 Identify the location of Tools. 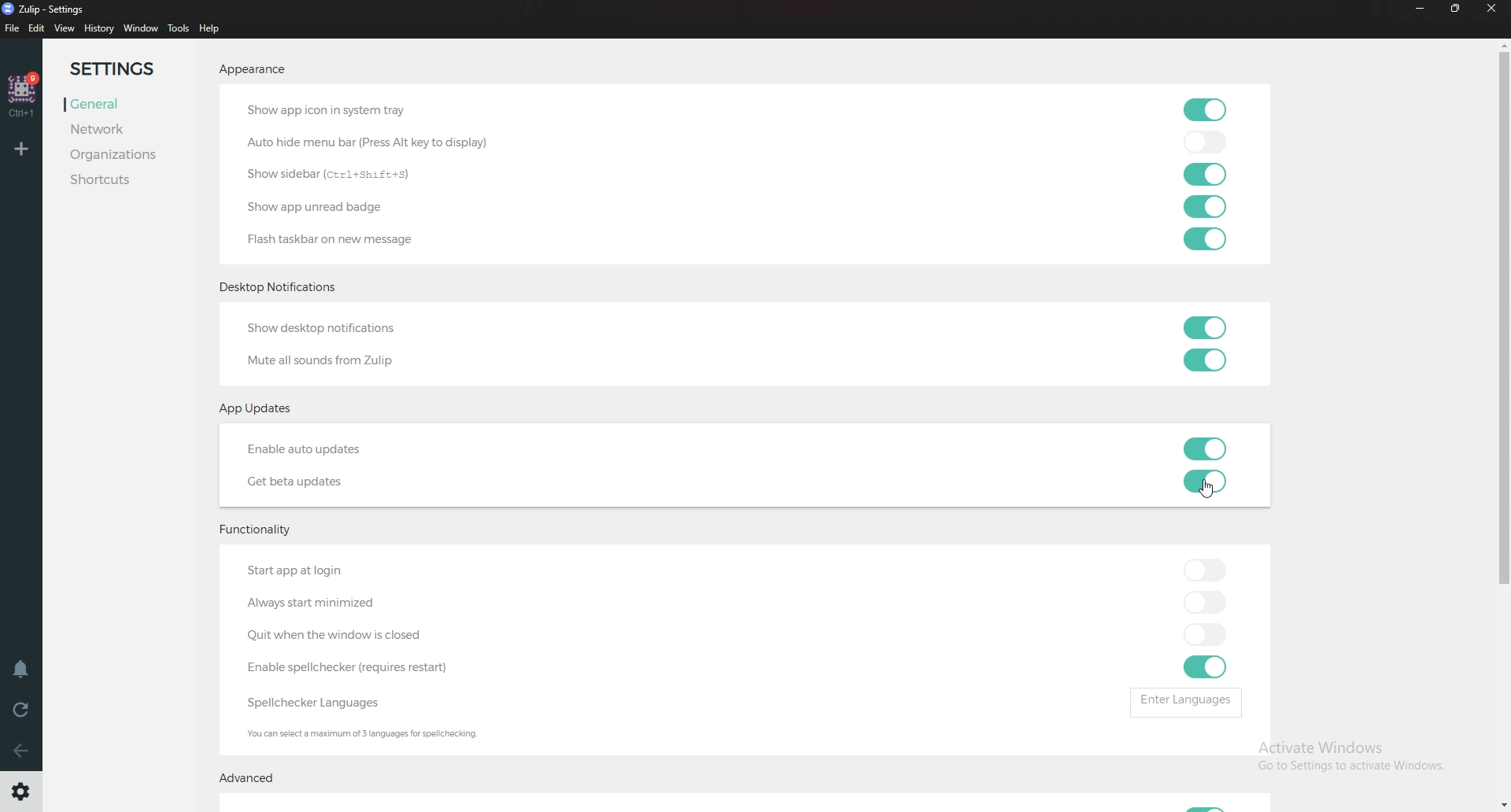
(179, 28).